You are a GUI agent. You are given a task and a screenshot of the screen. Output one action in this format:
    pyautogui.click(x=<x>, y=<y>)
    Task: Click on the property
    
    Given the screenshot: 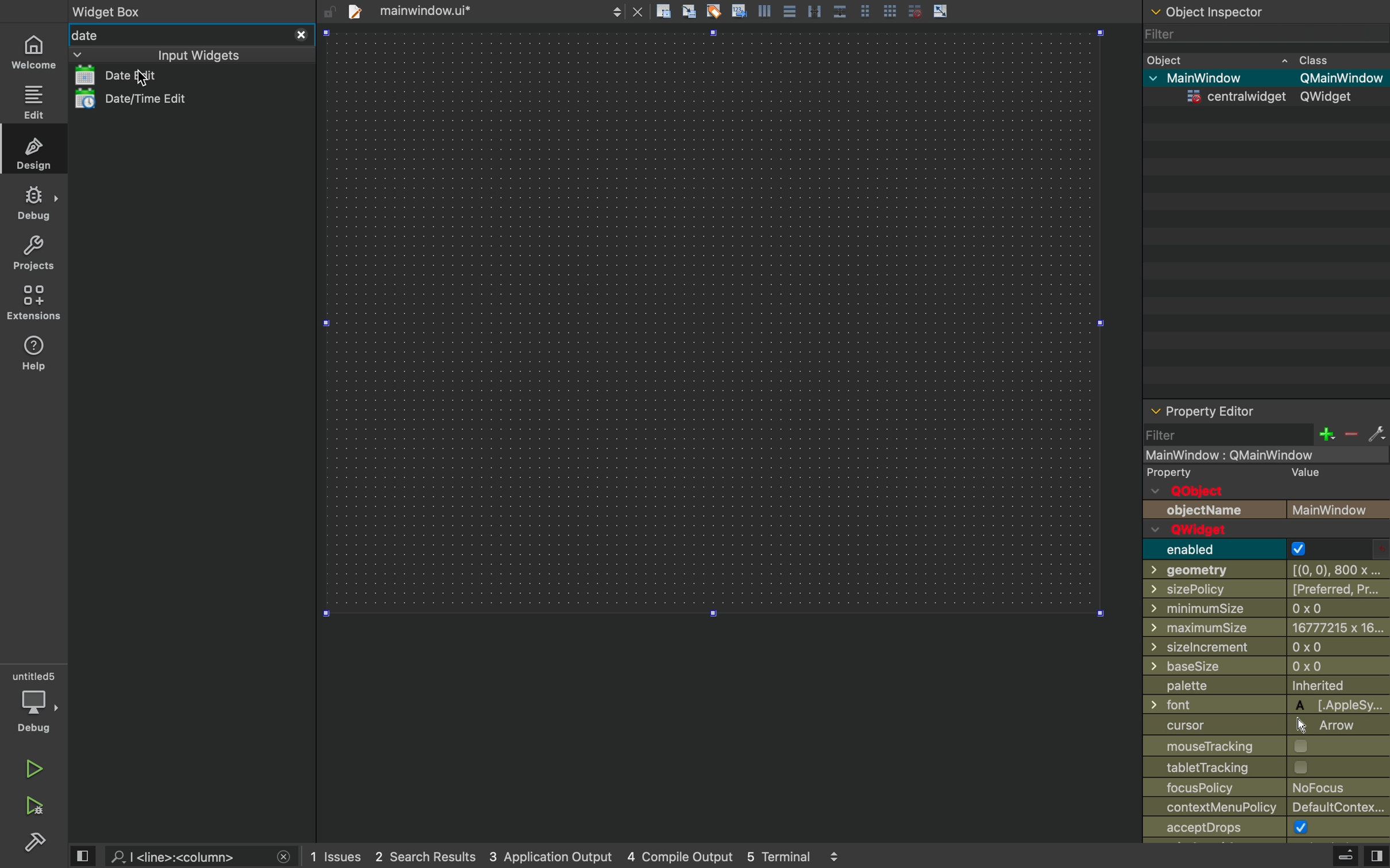 What is the action you would take?
    pyautogui.click(x=1241, y=472)
    